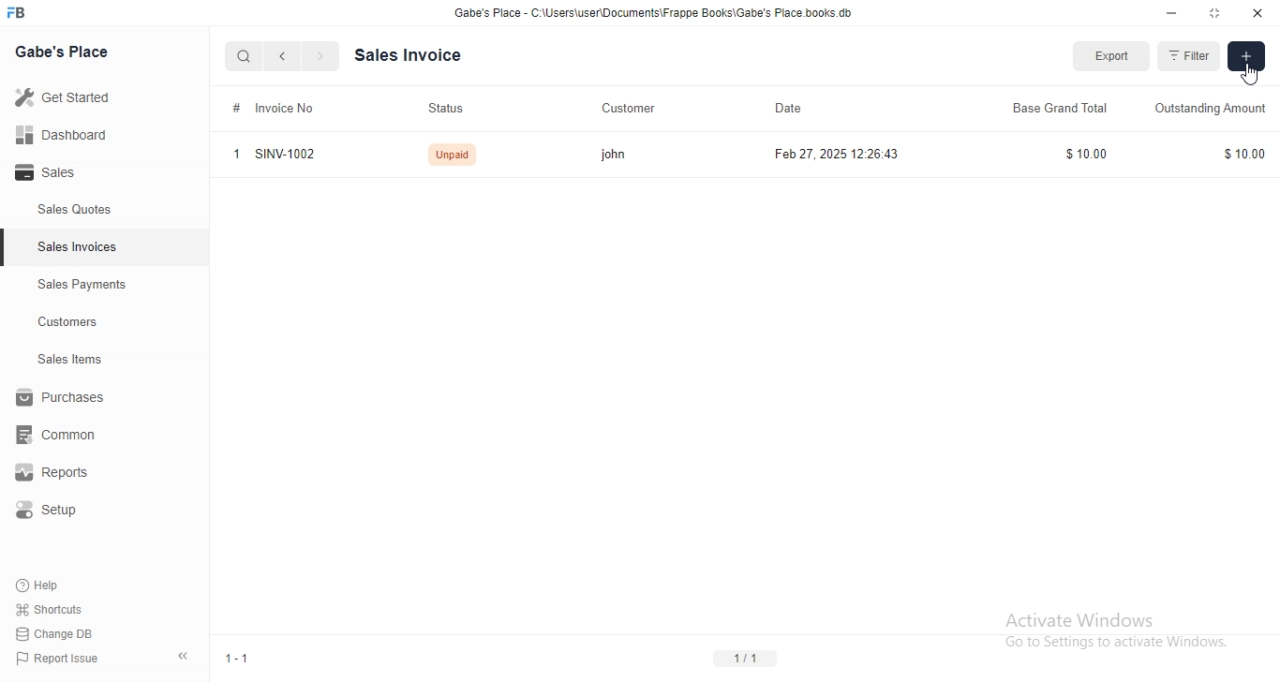 This screenshot has width=1280, height=682. What do you see at coordinates (57, 584) in the screenshot?
I see `Help` at bounding box center [57, 584].